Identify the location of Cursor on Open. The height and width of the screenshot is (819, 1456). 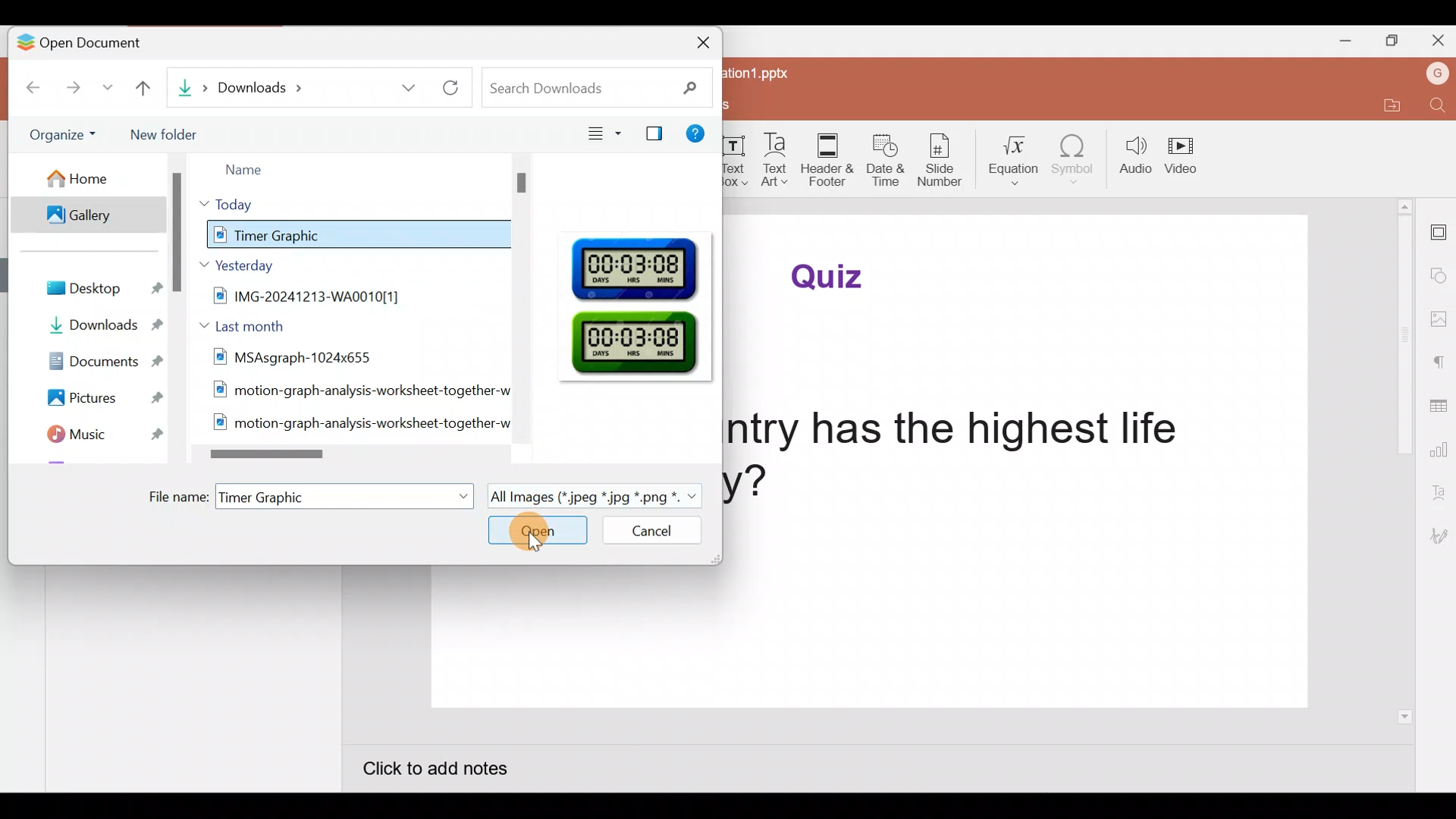
(532, 534).